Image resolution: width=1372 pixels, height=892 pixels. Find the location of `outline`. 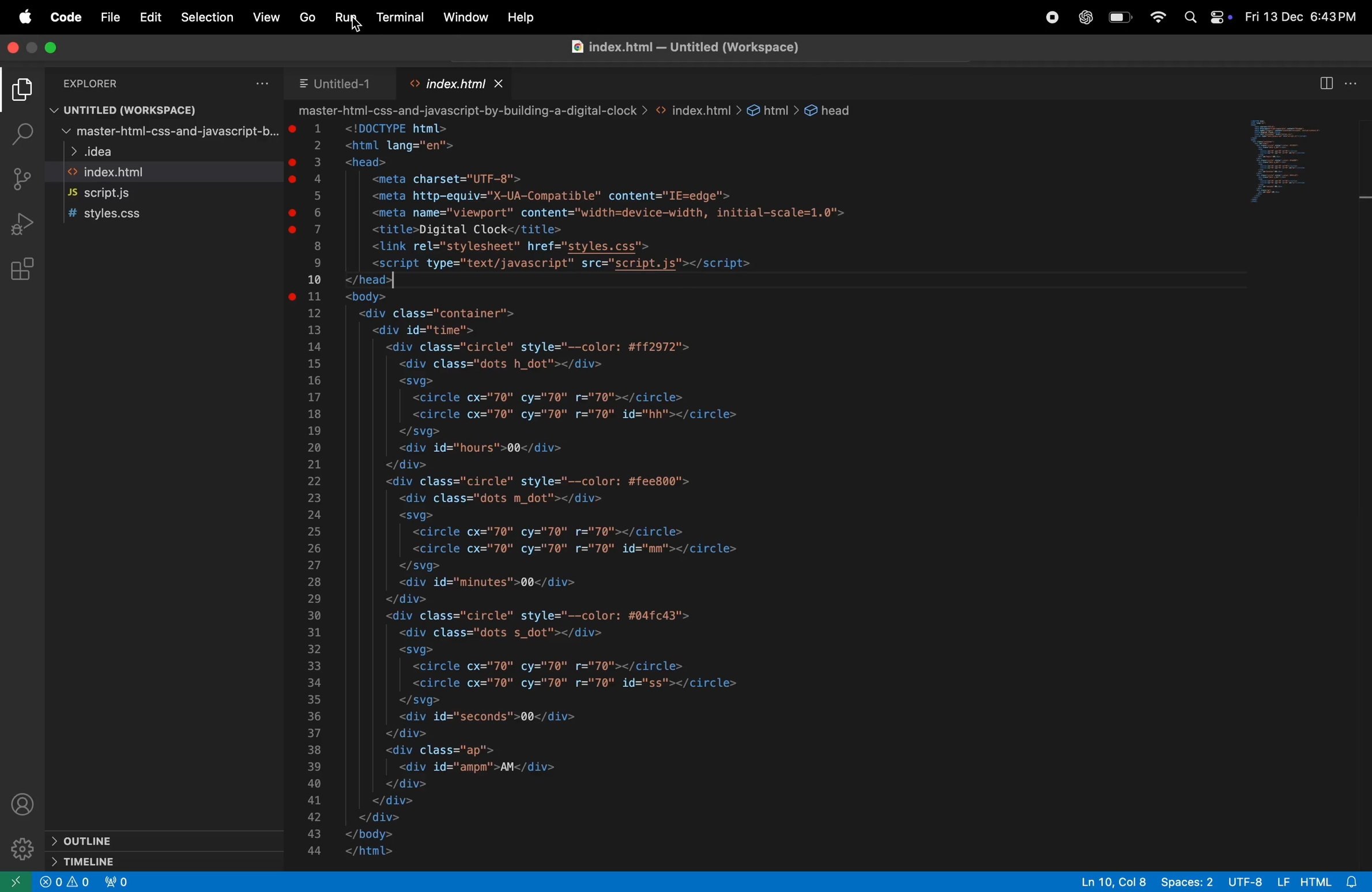

outline is located at coordinates (153, 841).